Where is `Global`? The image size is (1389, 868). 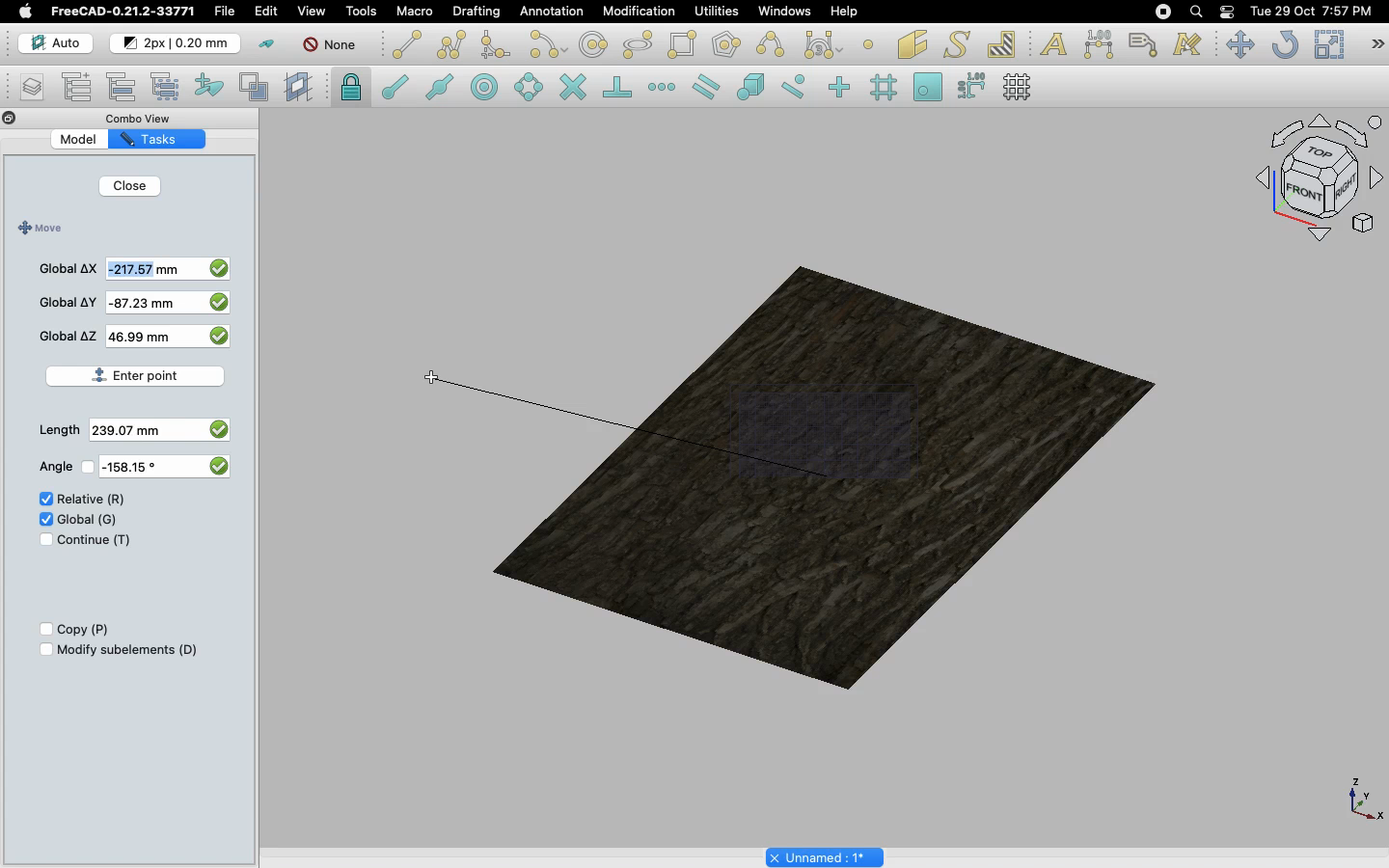
Global is located at coordinates (89, 518).